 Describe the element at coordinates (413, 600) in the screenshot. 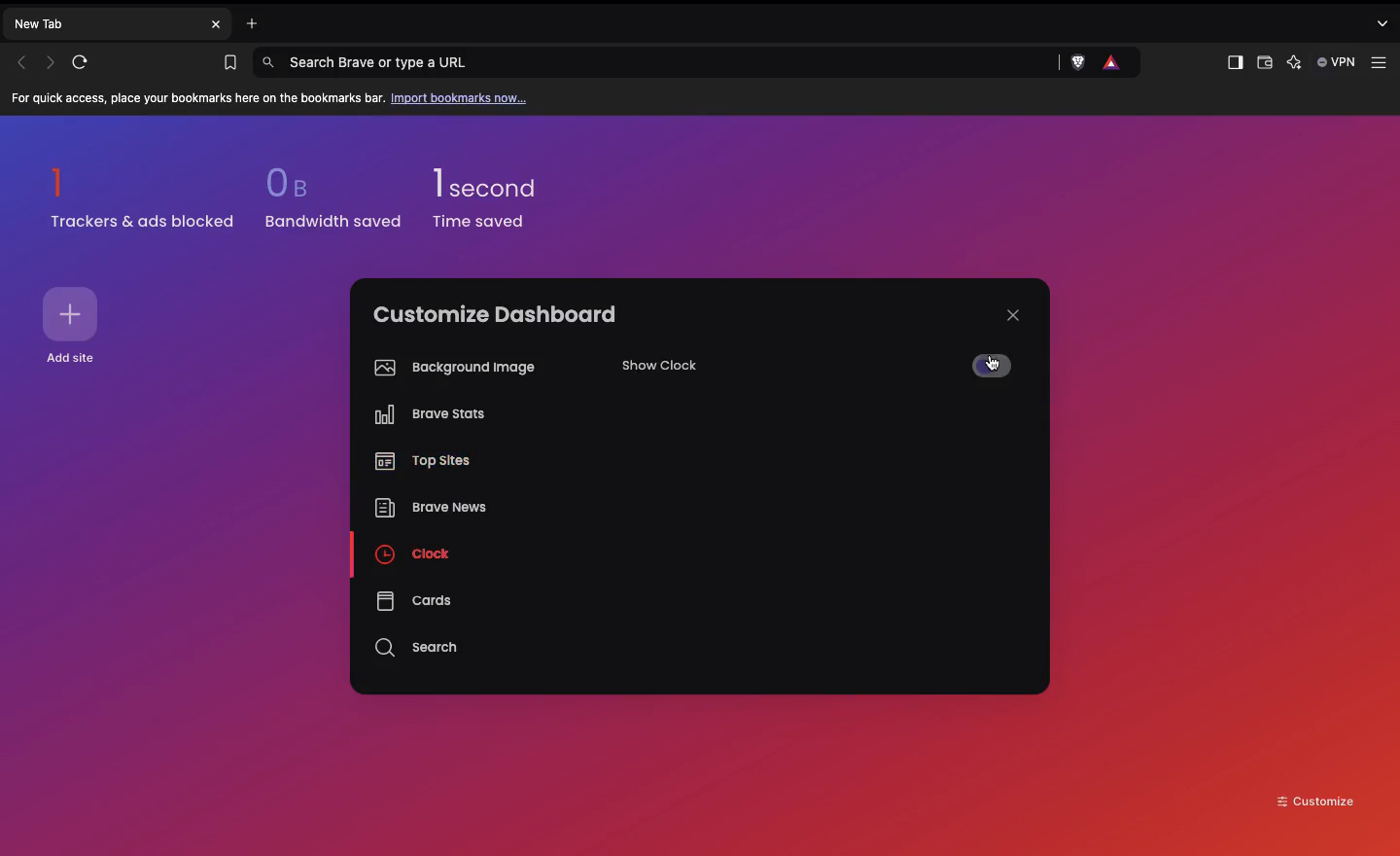

I see `Cards` at that location.